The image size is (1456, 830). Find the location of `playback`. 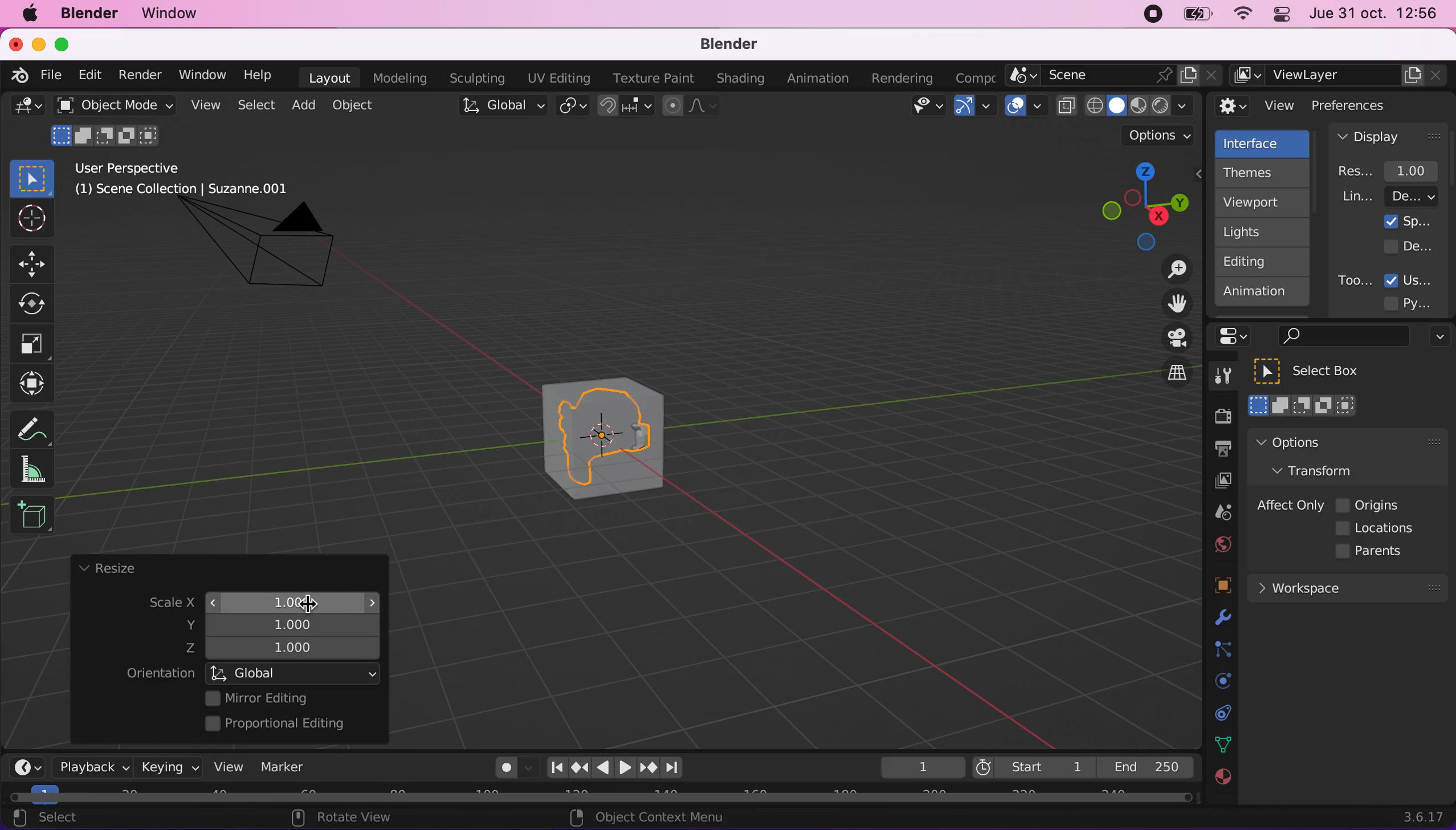

playback is located at coordinates (89, 766).